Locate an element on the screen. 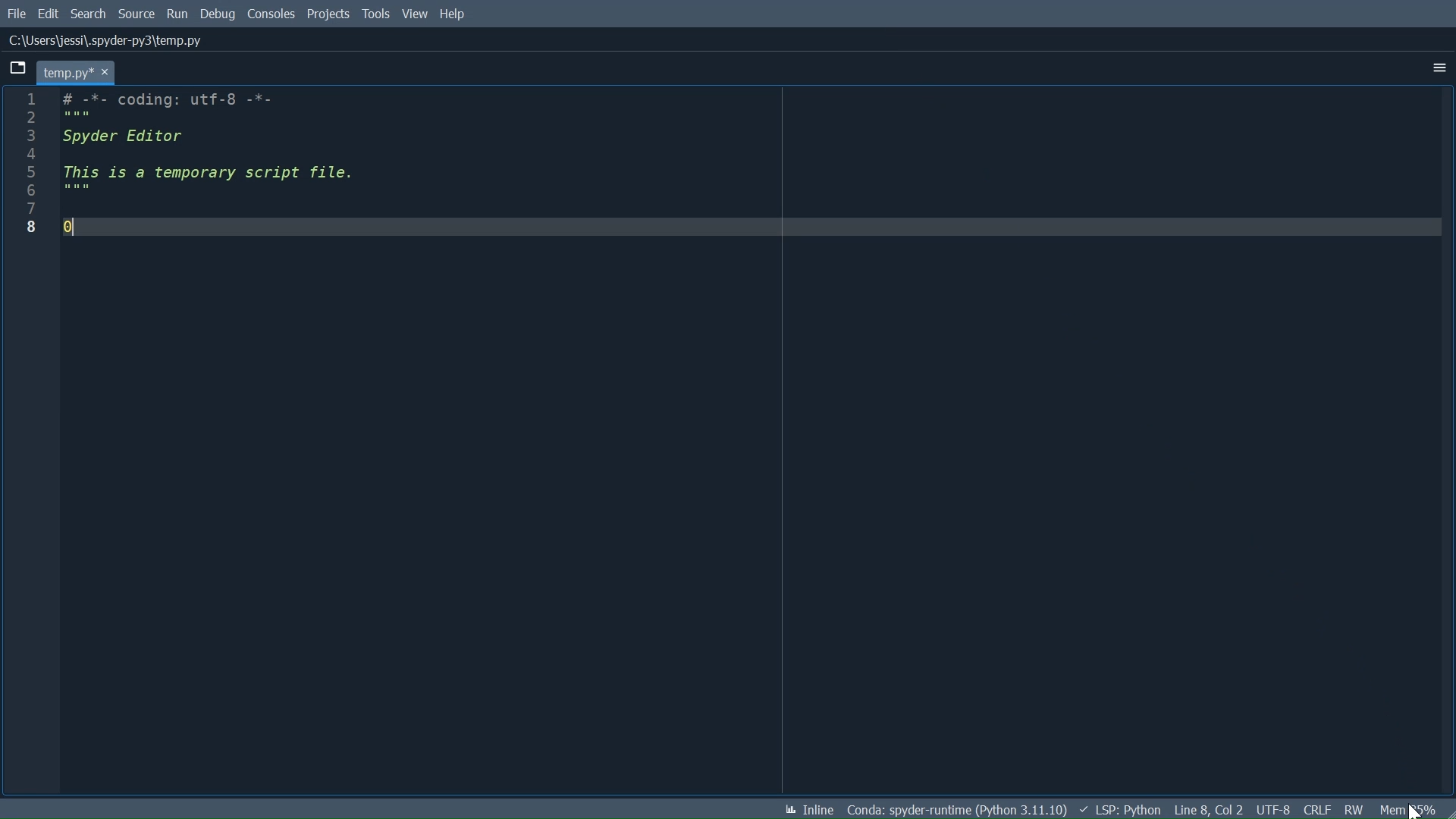 Image resolution: width=1456 pixels, height=819 pixels. Run is located at coordinates (178, 13).